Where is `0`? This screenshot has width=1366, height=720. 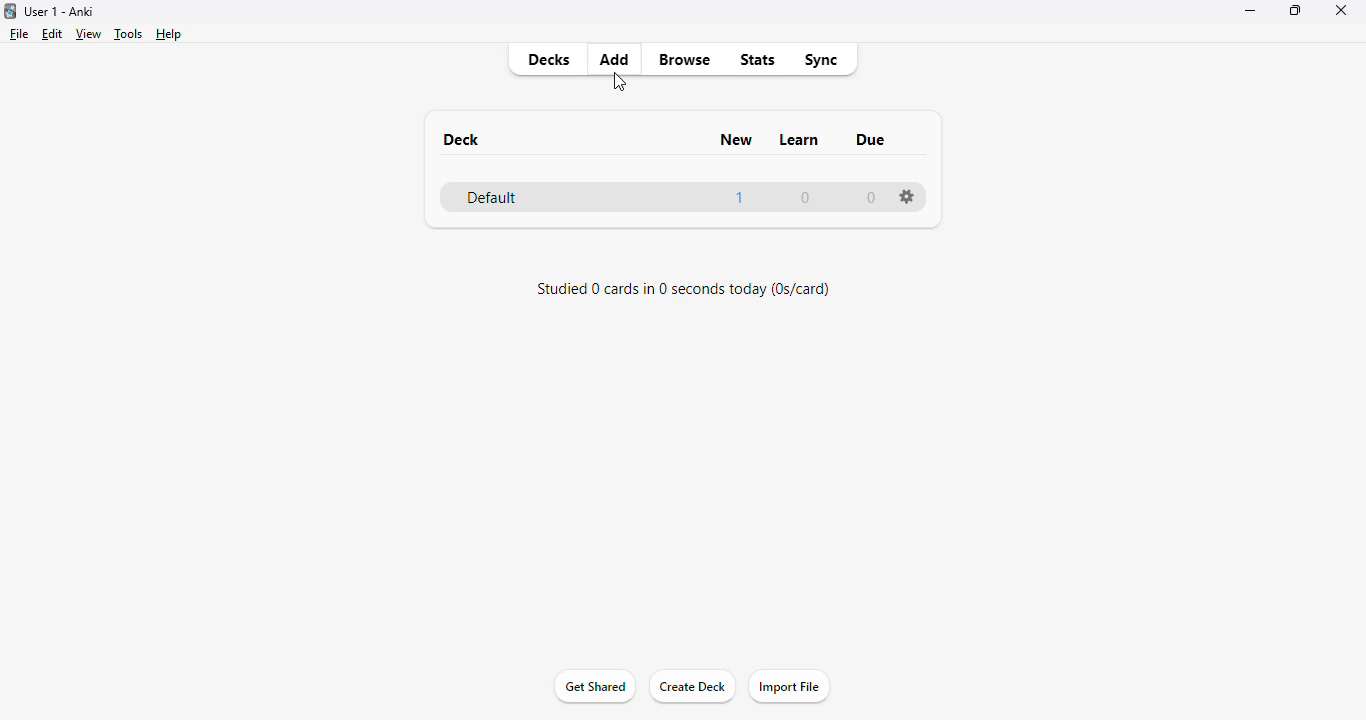 0 is located at coordinates (807, 199).